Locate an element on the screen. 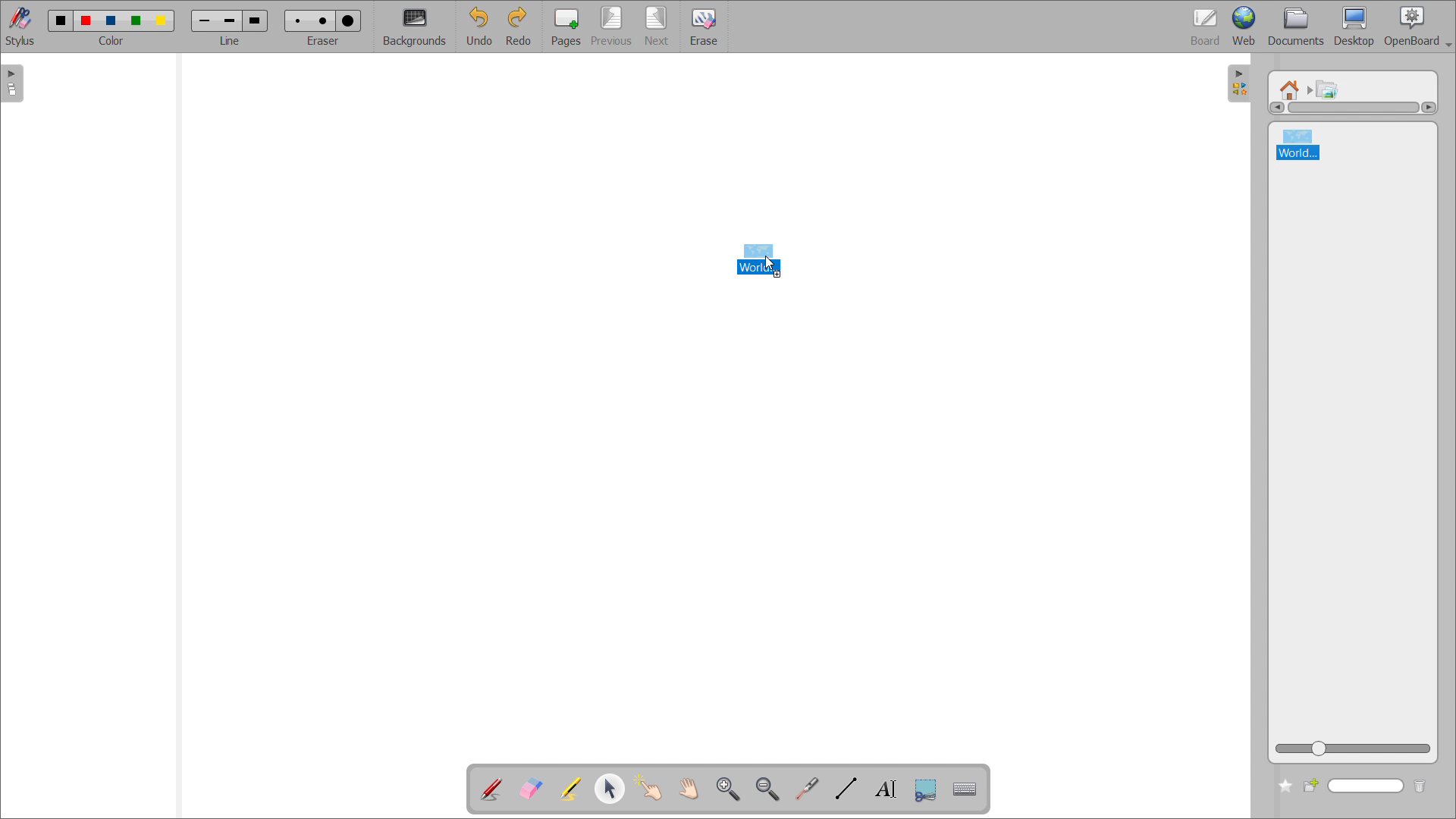 This screenshot has height=819, width=1456. virtual keyboard is located at coordinates (965, 789).